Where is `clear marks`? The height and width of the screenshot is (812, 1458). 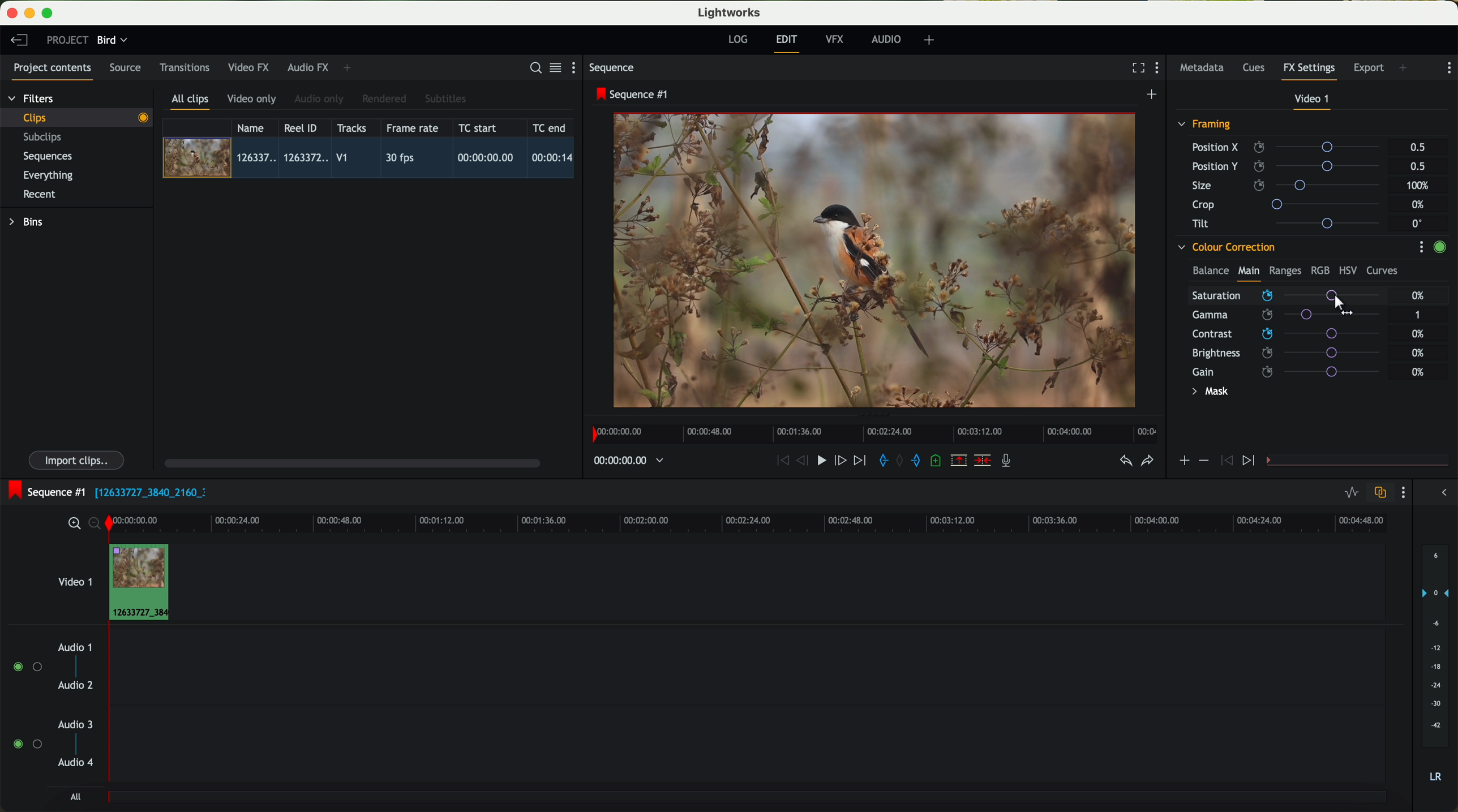 clear marks is located at coordinates (900, 461).